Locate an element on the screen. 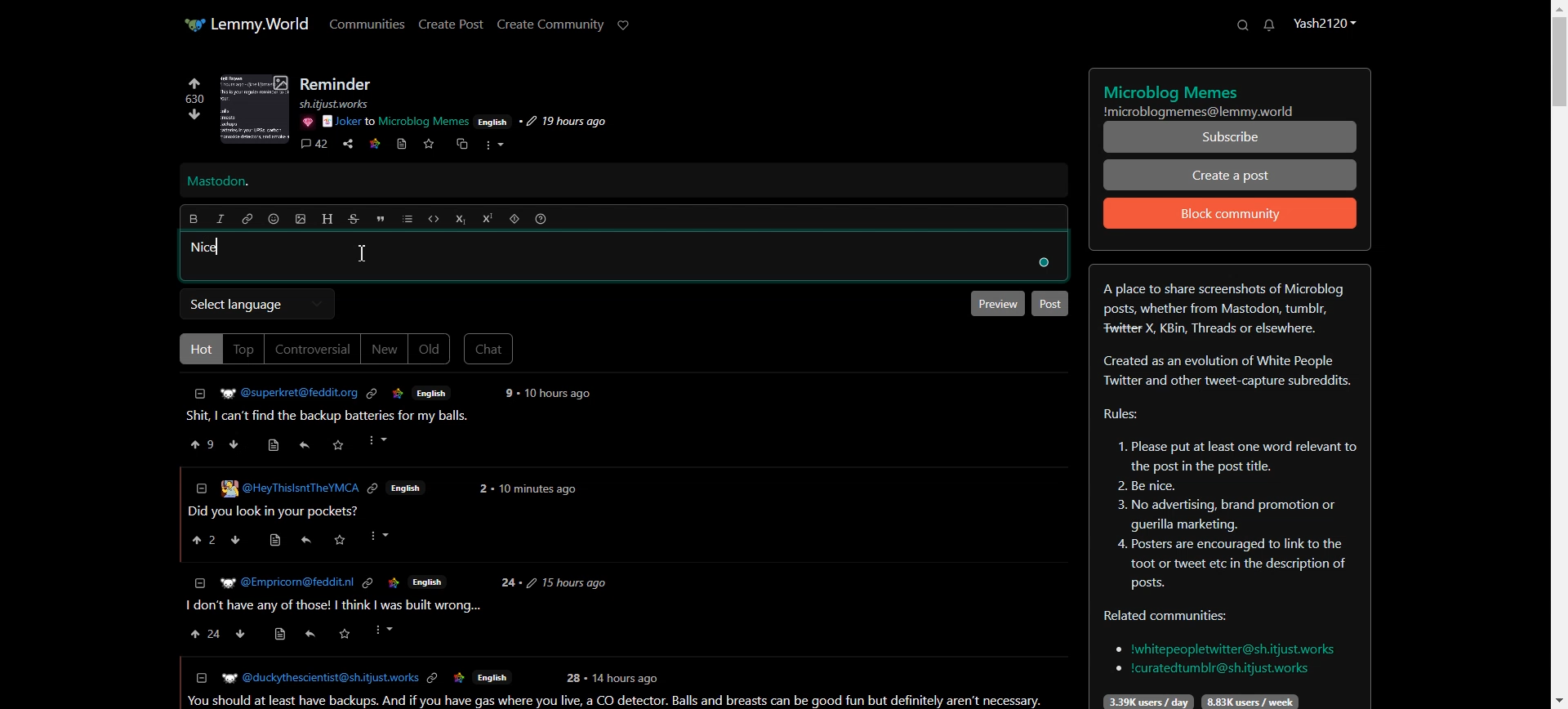 The height and width of the screenshot is (709, 1568). Search is located at coordinates (1242, 25).